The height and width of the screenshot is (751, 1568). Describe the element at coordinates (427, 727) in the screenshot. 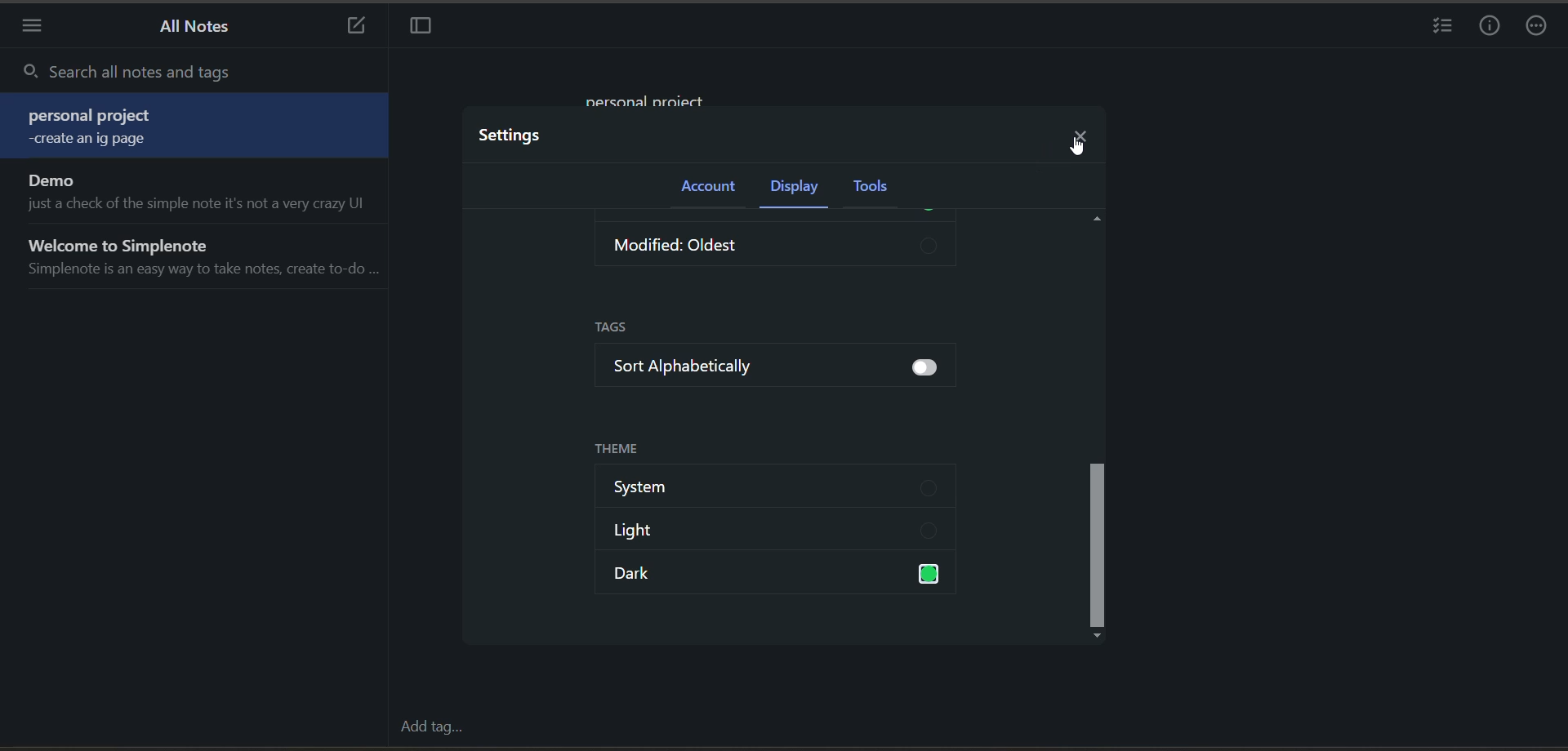

I see `add tag` at that location.